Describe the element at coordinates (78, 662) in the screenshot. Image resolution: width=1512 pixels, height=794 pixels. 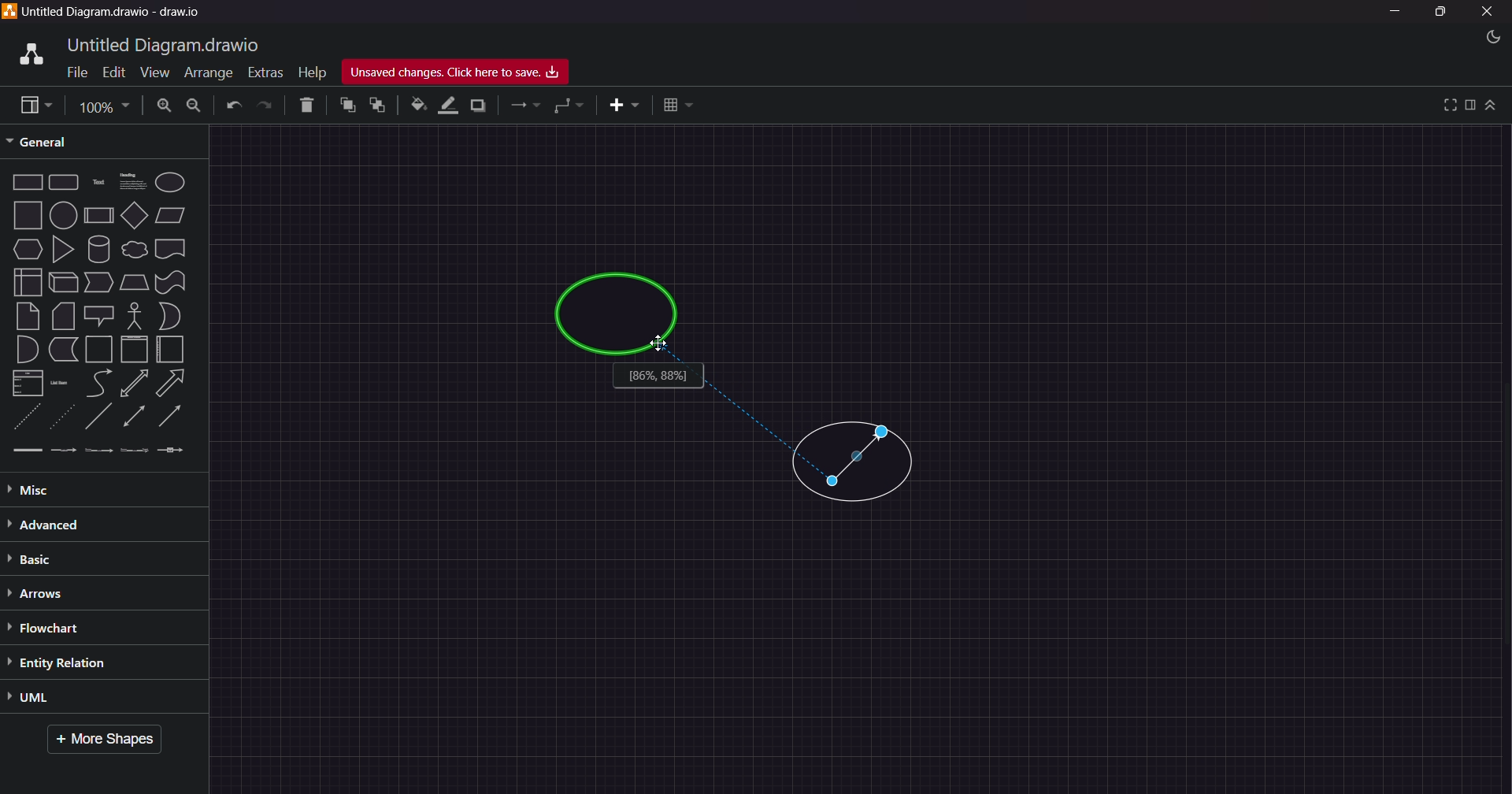
I see `Entity Relation` at that location.